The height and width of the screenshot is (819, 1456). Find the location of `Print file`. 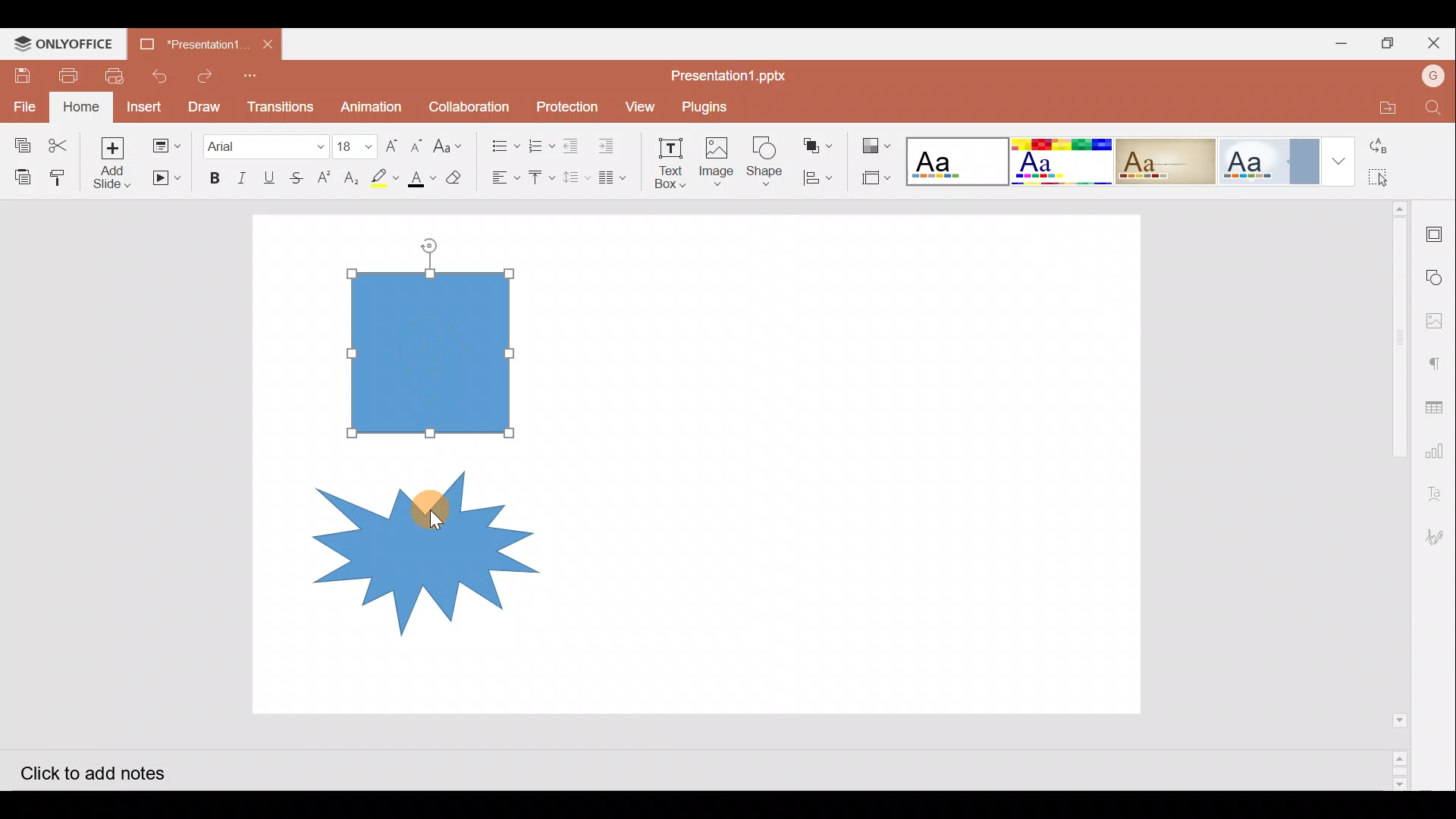

Print file is located at coordinates (73, 74).